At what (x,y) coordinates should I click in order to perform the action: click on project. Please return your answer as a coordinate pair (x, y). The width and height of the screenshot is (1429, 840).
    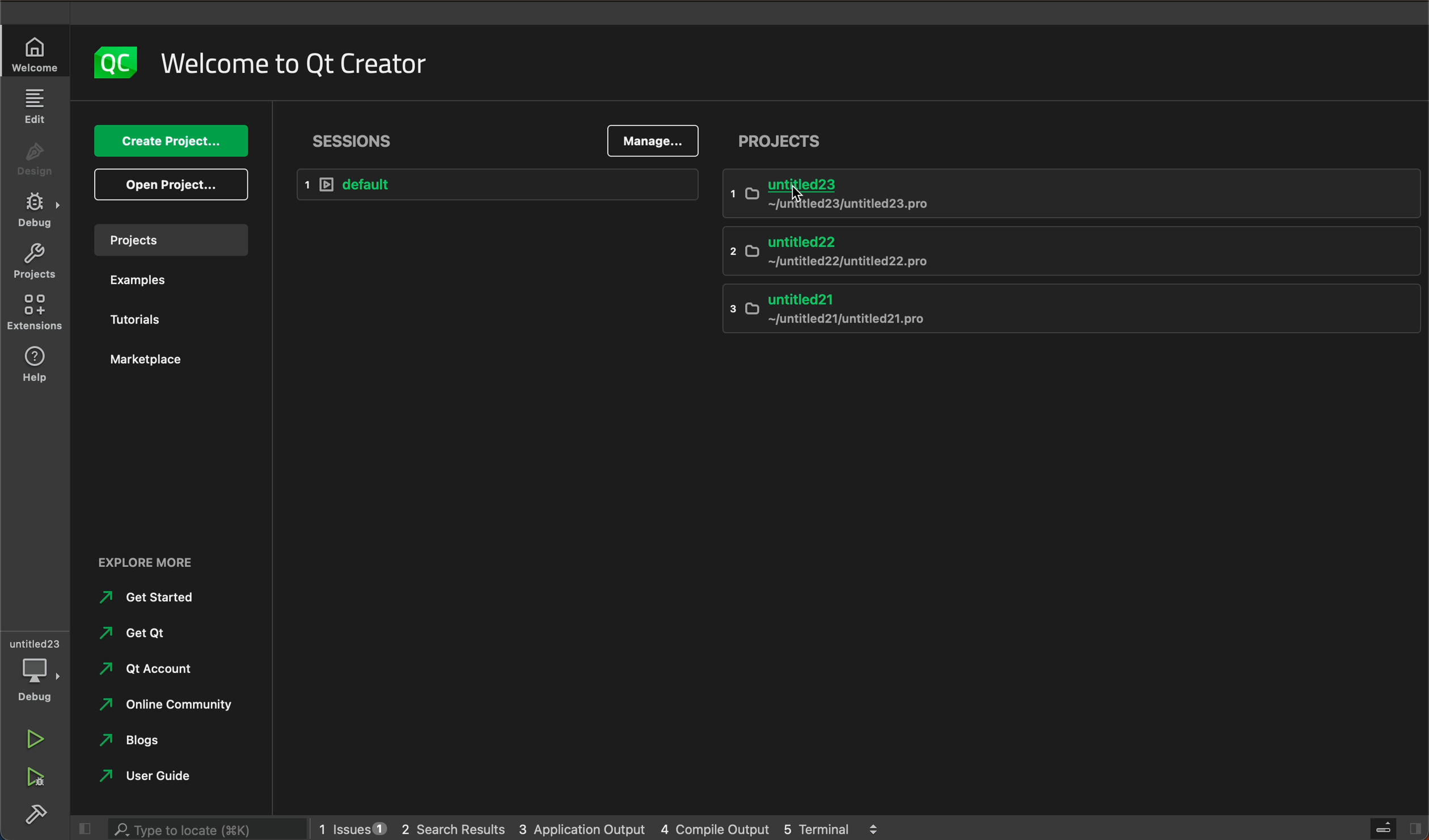
    Looking at the image, I should click on (784, 142).